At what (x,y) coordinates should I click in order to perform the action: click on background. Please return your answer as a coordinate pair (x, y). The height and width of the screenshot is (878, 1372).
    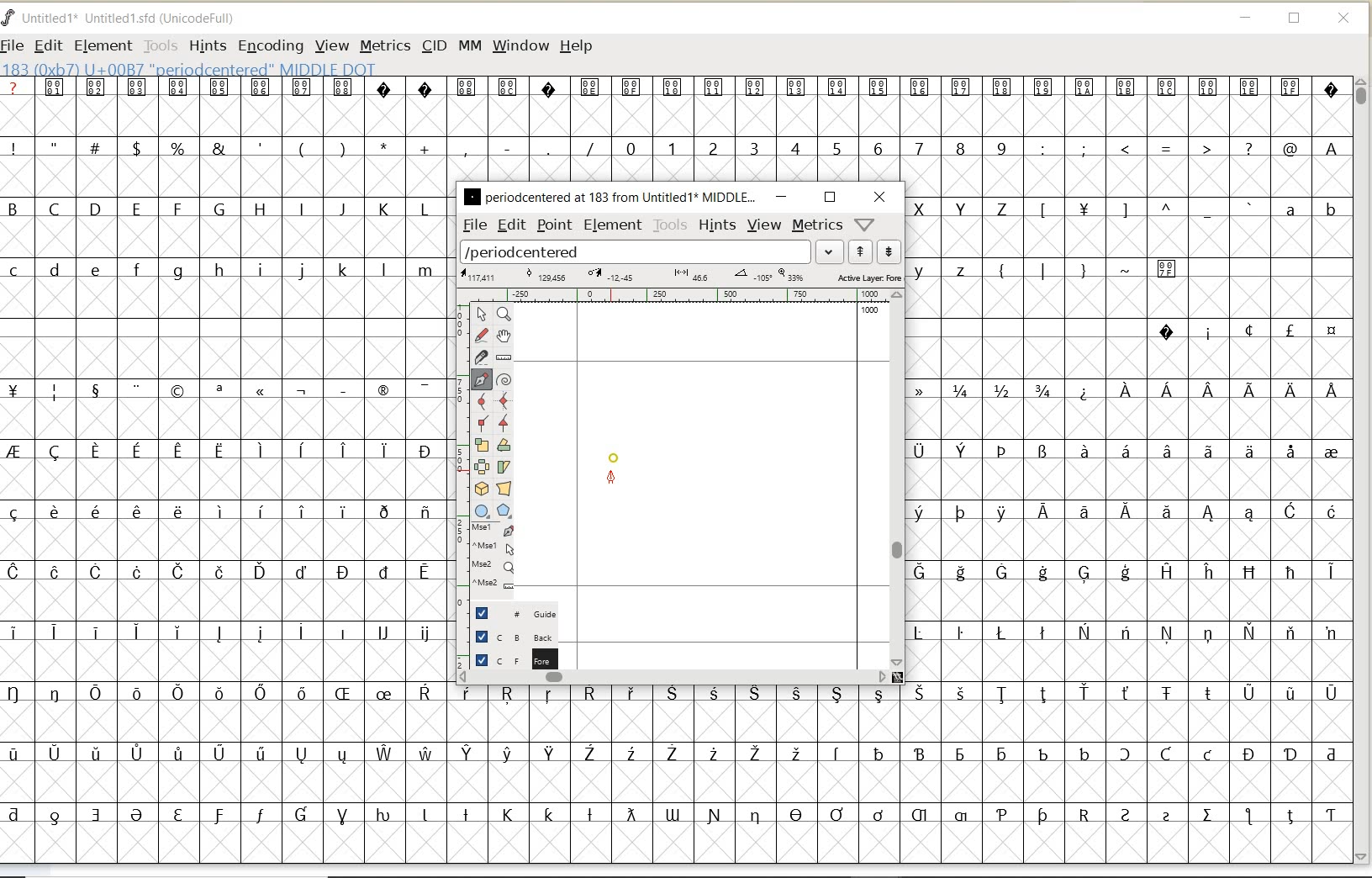
    Looking at the image, I should click on (509, 637).